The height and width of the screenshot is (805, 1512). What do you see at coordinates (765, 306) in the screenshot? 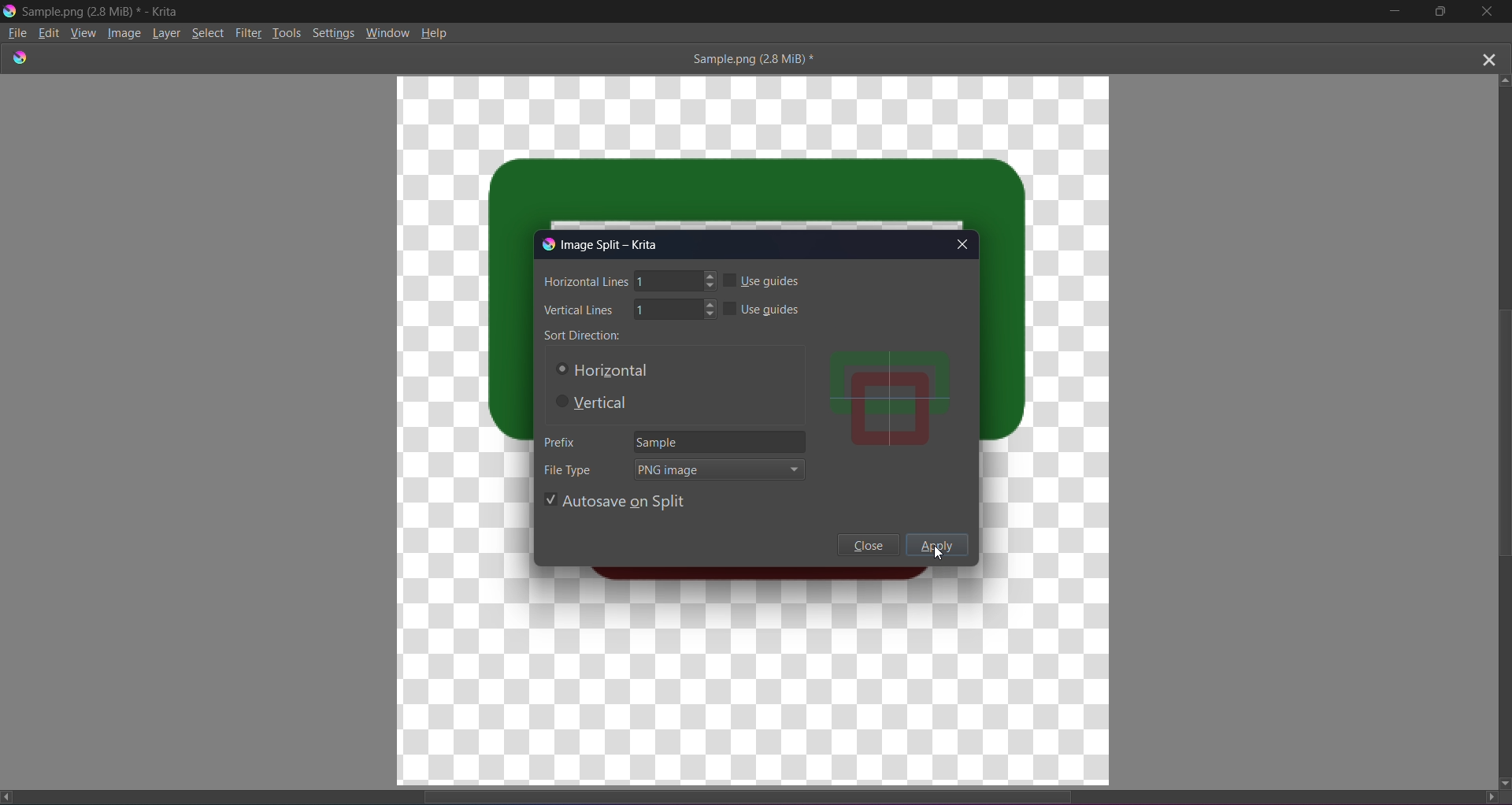
I see `Use guides` at bounding box center [765, 306].